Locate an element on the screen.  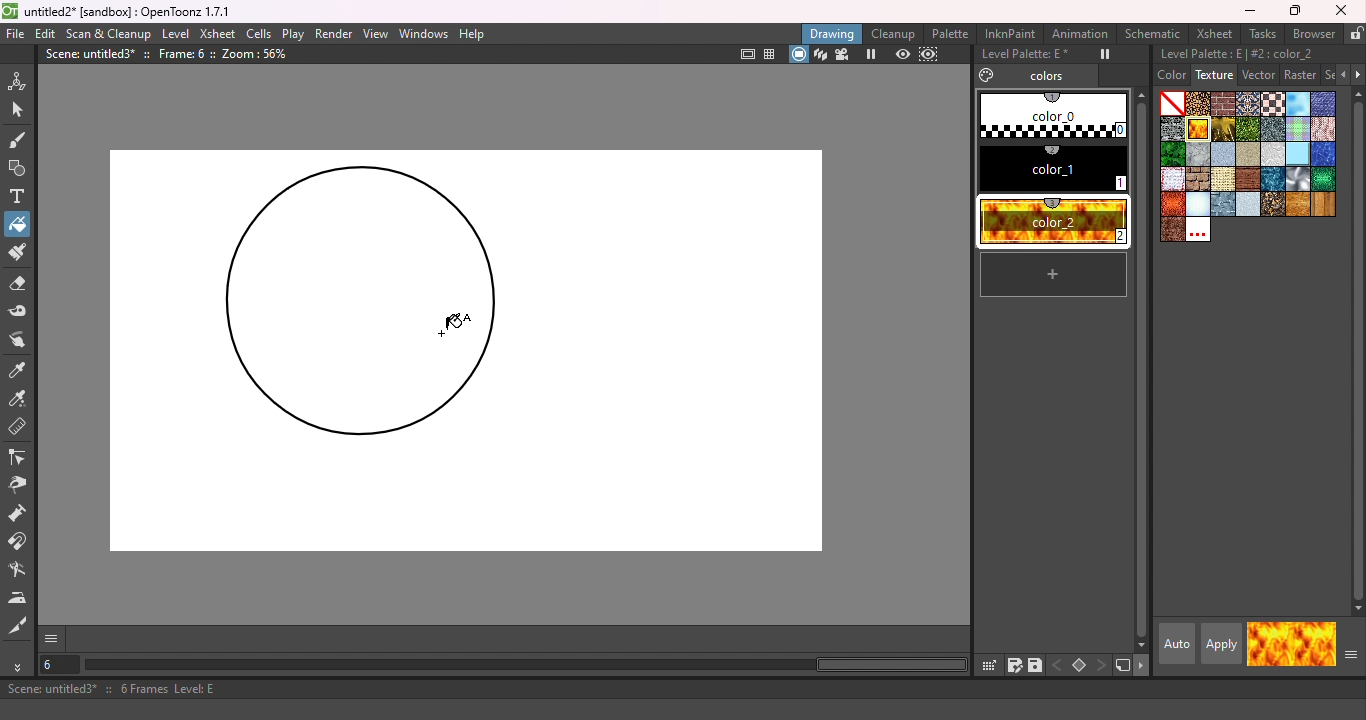
Close is located at coordinates (1344, 12).